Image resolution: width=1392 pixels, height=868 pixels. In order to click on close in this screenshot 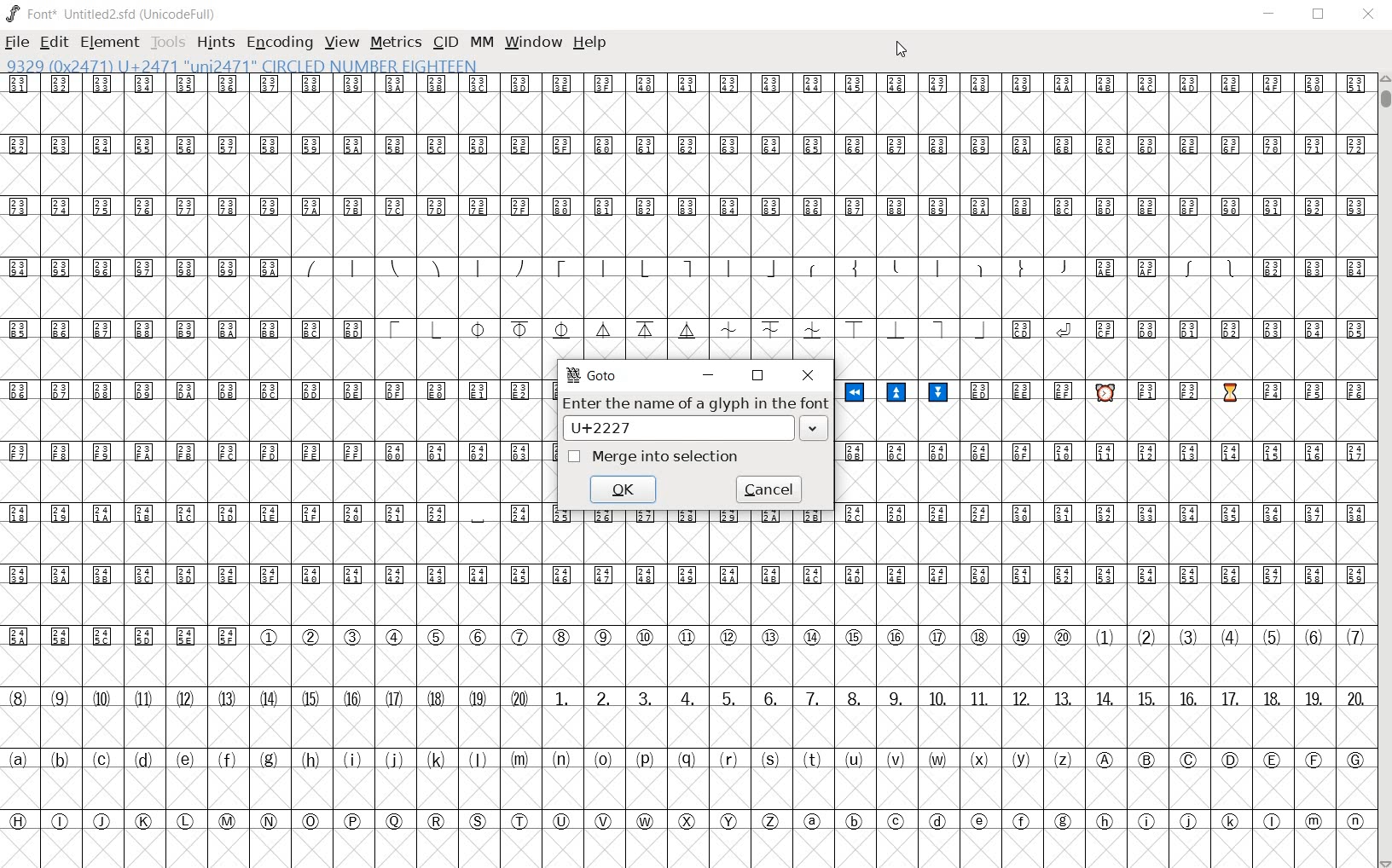, I will do `click(807, 374)`.